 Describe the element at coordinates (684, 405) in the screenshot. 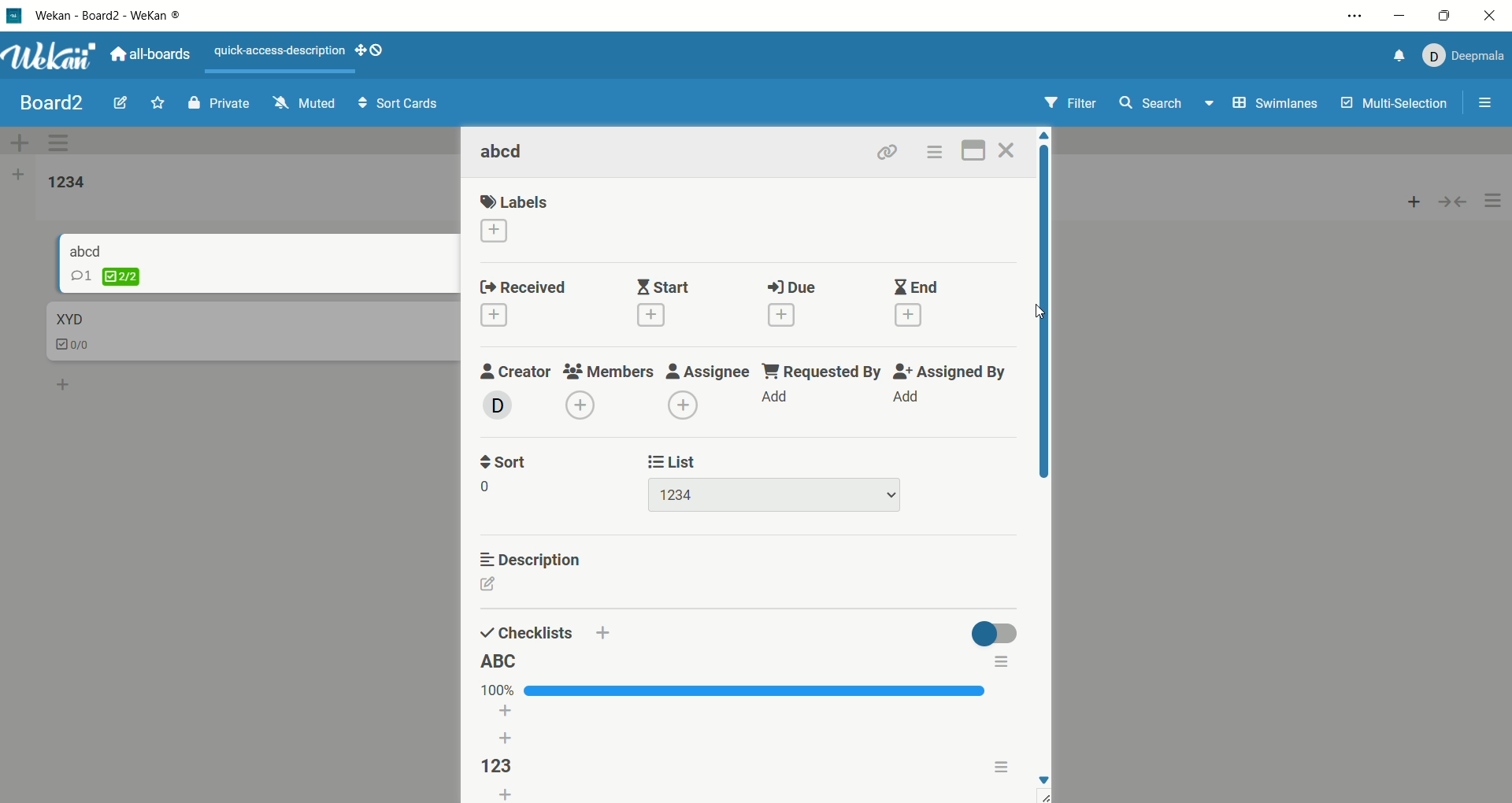

I see `add` at that location.